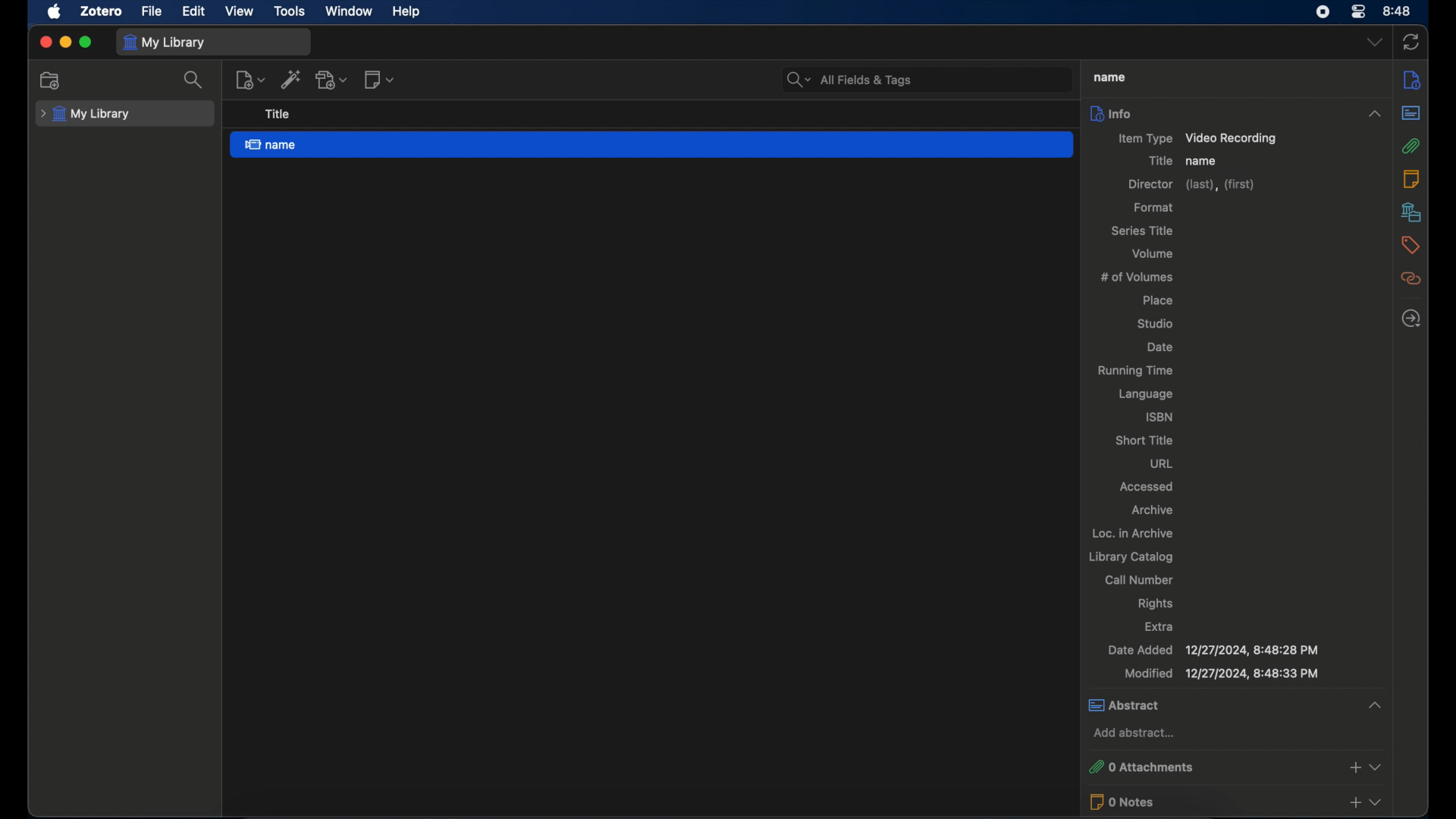 The width and height of the screenshot is (1456, 819). I want to click on apple, so click(55, 12).